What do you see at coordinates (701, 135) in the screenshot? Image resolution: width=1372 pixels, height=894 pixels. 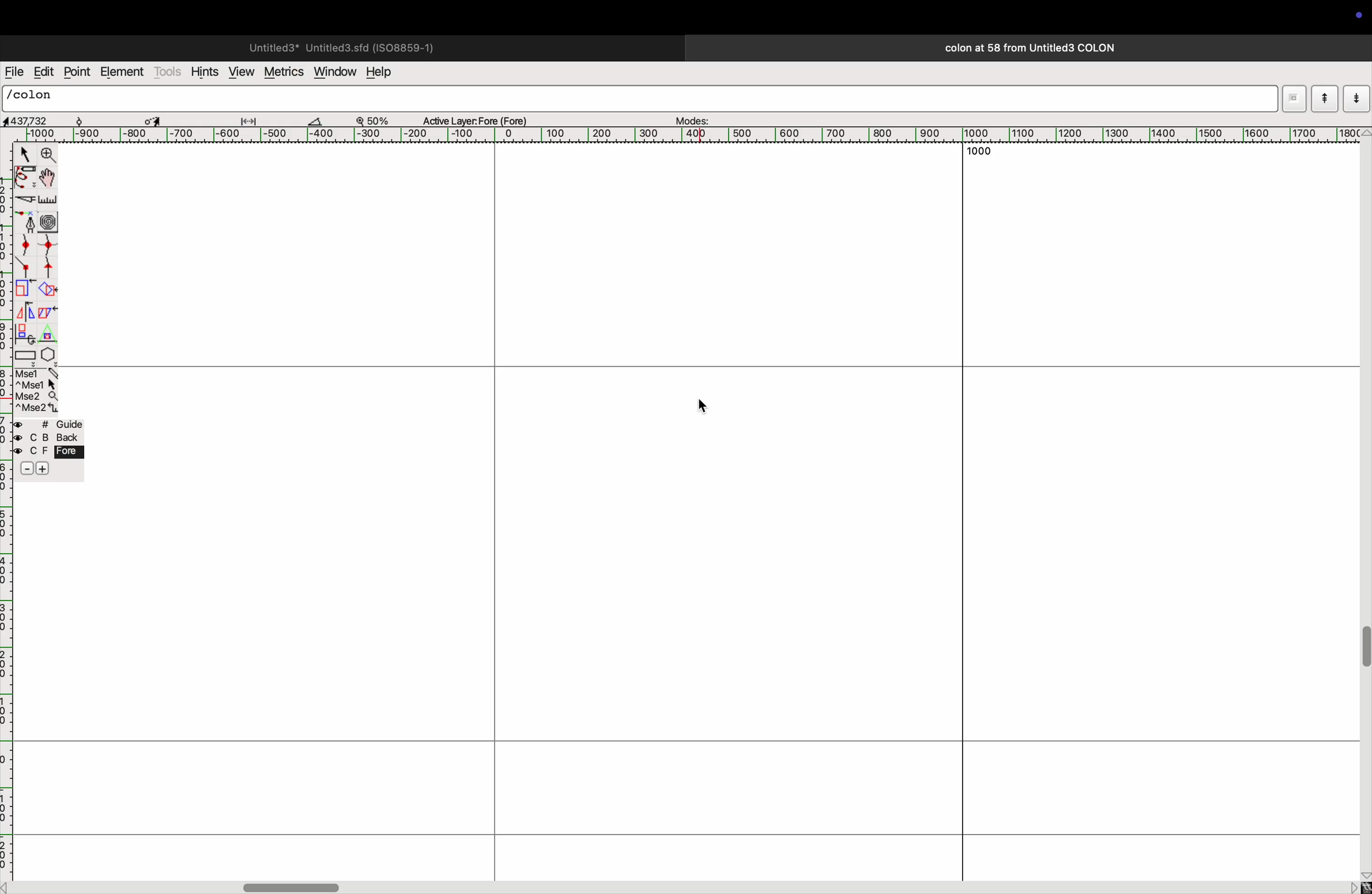 I see `horizontal scale` at bounding box center [701, 135].